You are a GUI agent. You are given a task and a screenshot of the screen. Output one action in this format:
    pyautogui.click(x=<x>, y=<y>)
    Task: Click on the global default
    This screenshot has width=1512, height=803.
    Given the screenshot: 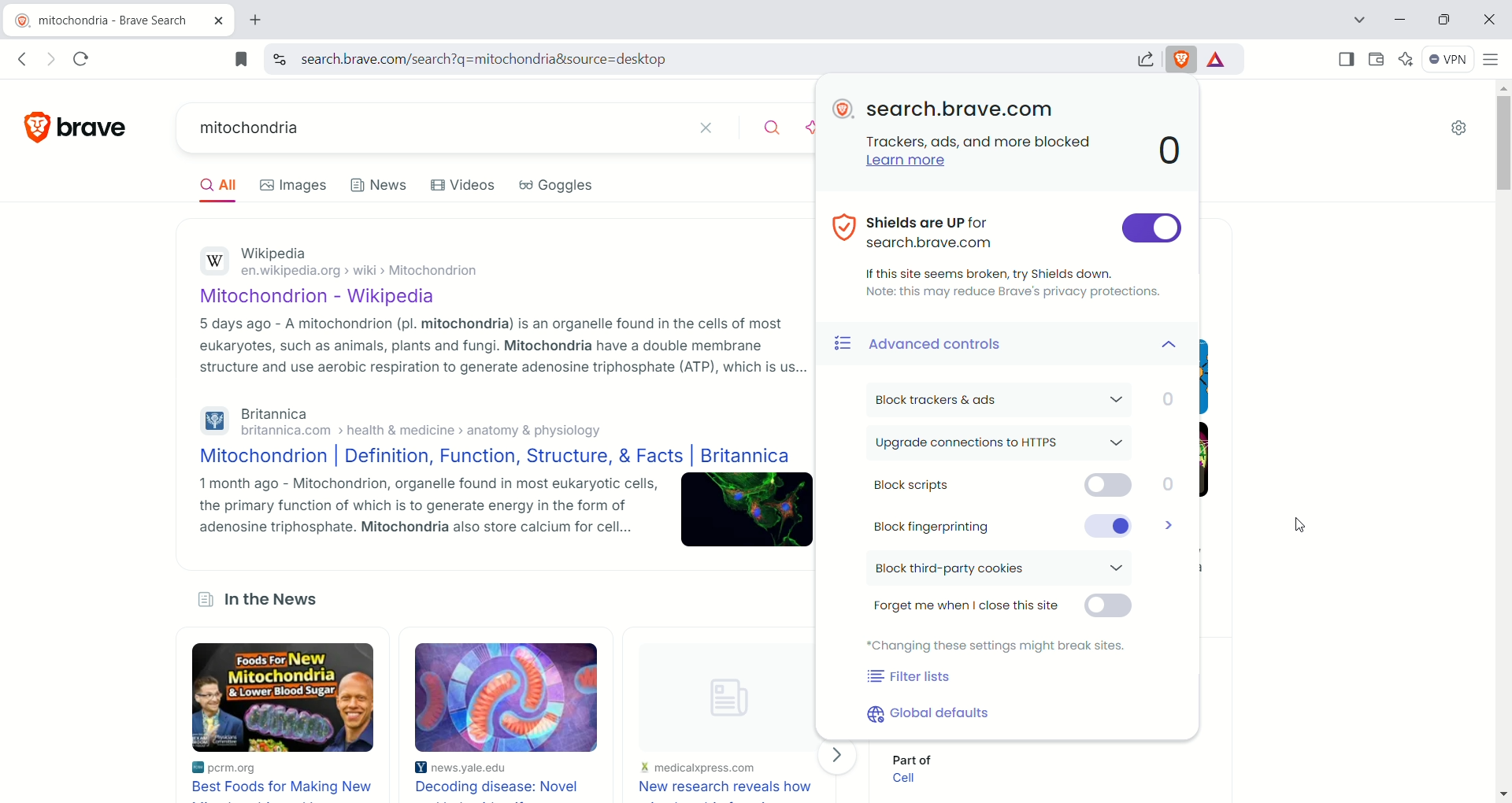 What is the action you would take?
    pyautogui.click(x=934, y=713)
    